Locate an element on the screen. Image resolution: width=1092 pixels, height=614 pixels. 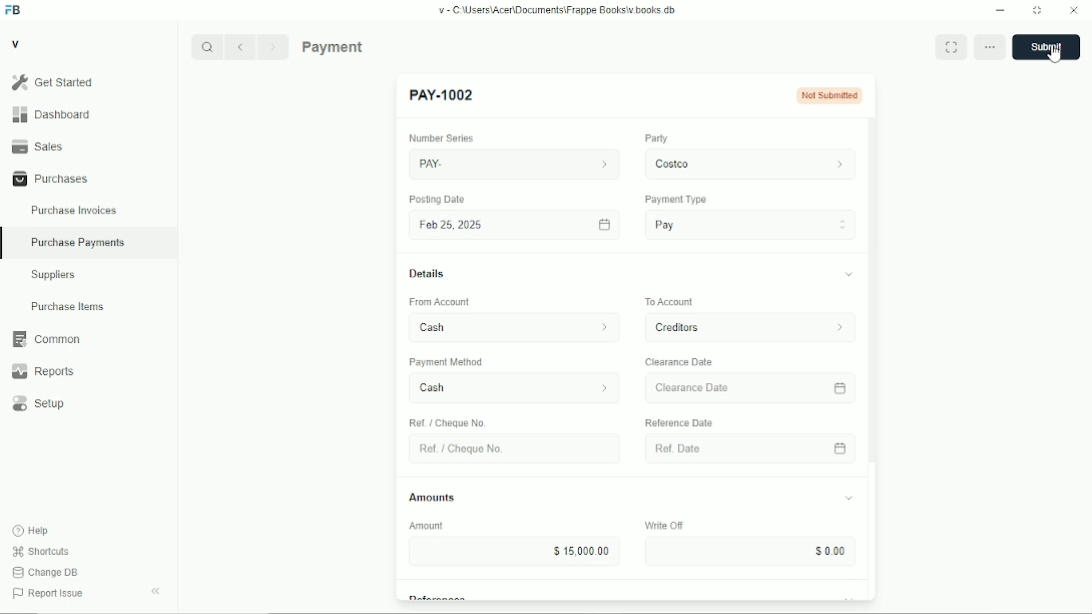
Purchases is located at coordinates (88, 178).